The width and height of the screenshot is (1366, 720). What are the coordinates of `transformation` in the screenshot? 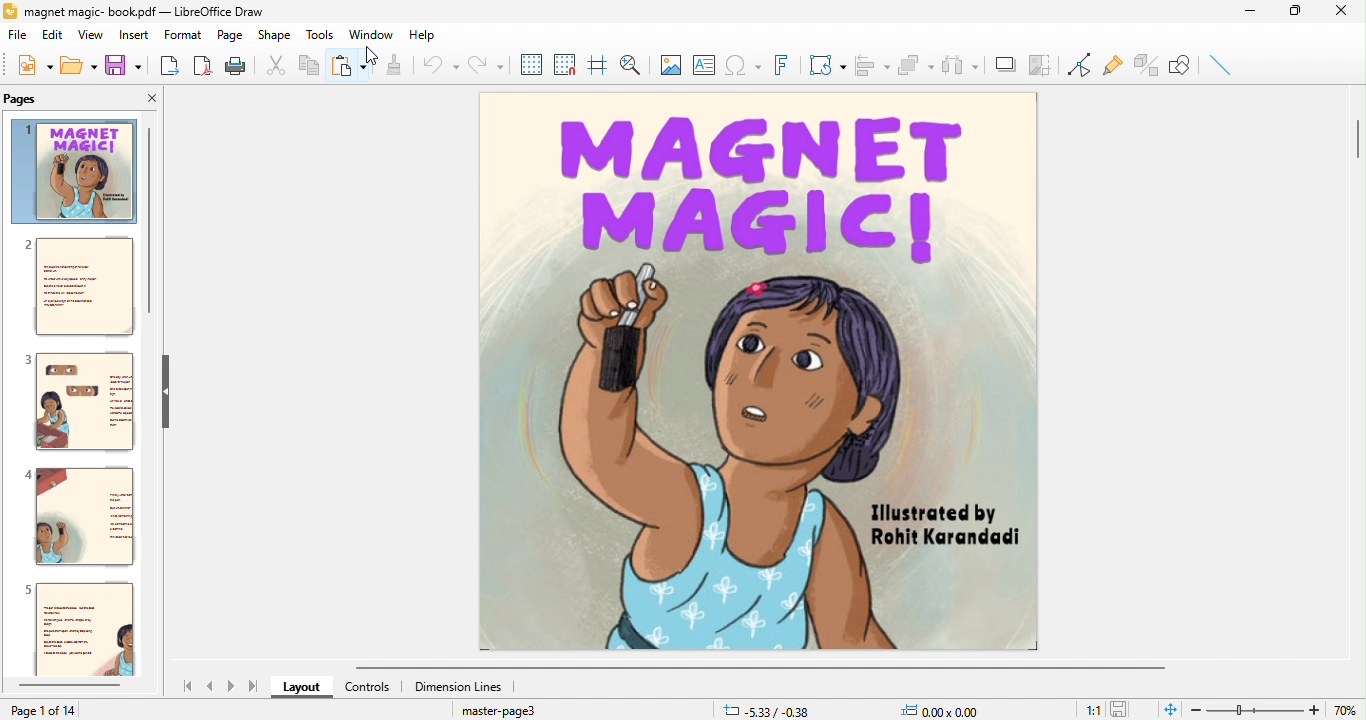 It's located at (823, 64).